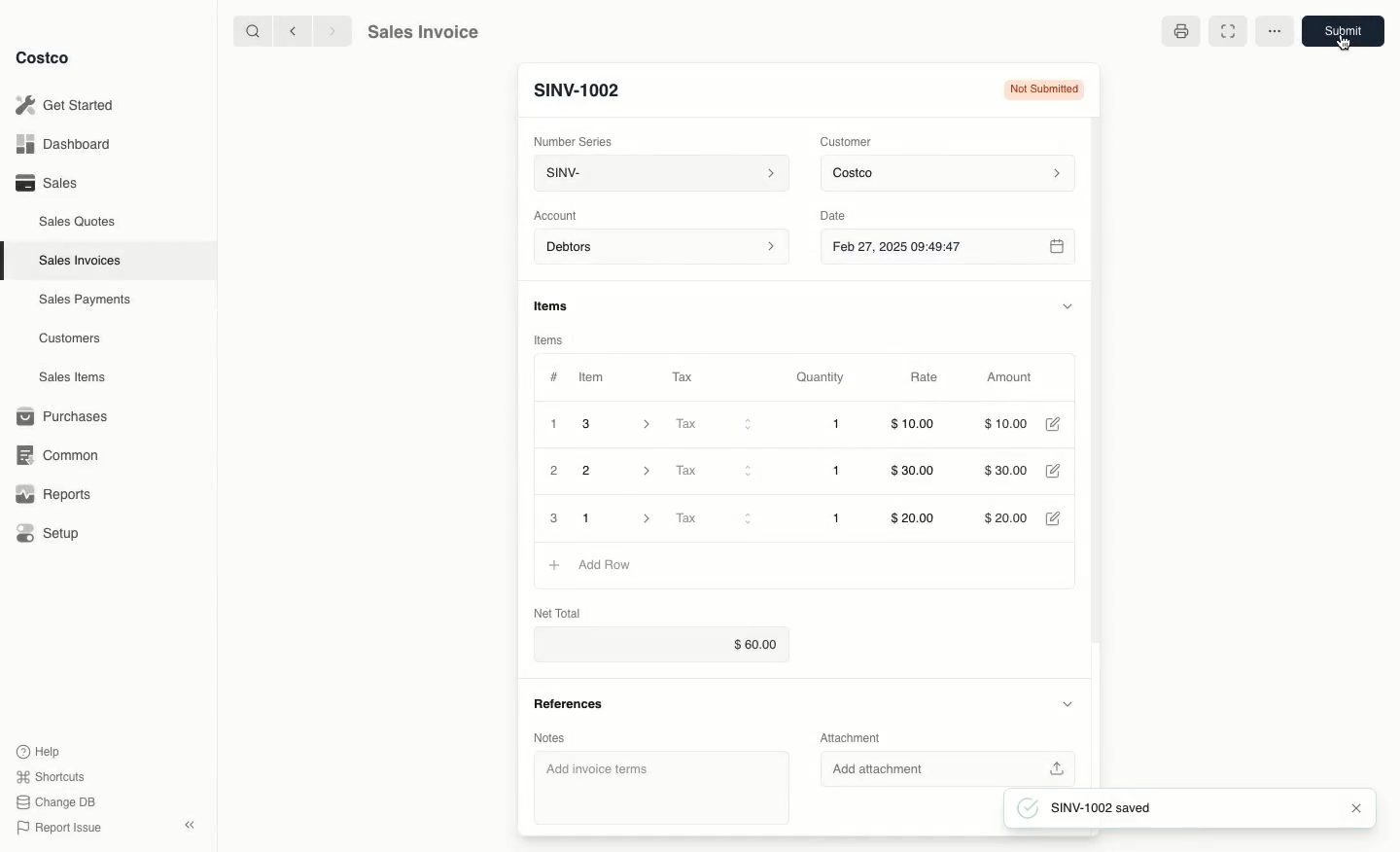 This screenshot has width=1400, height=852. Describe the element at coordinates (593, 376) in the screenshot. I see `Item` at that location.